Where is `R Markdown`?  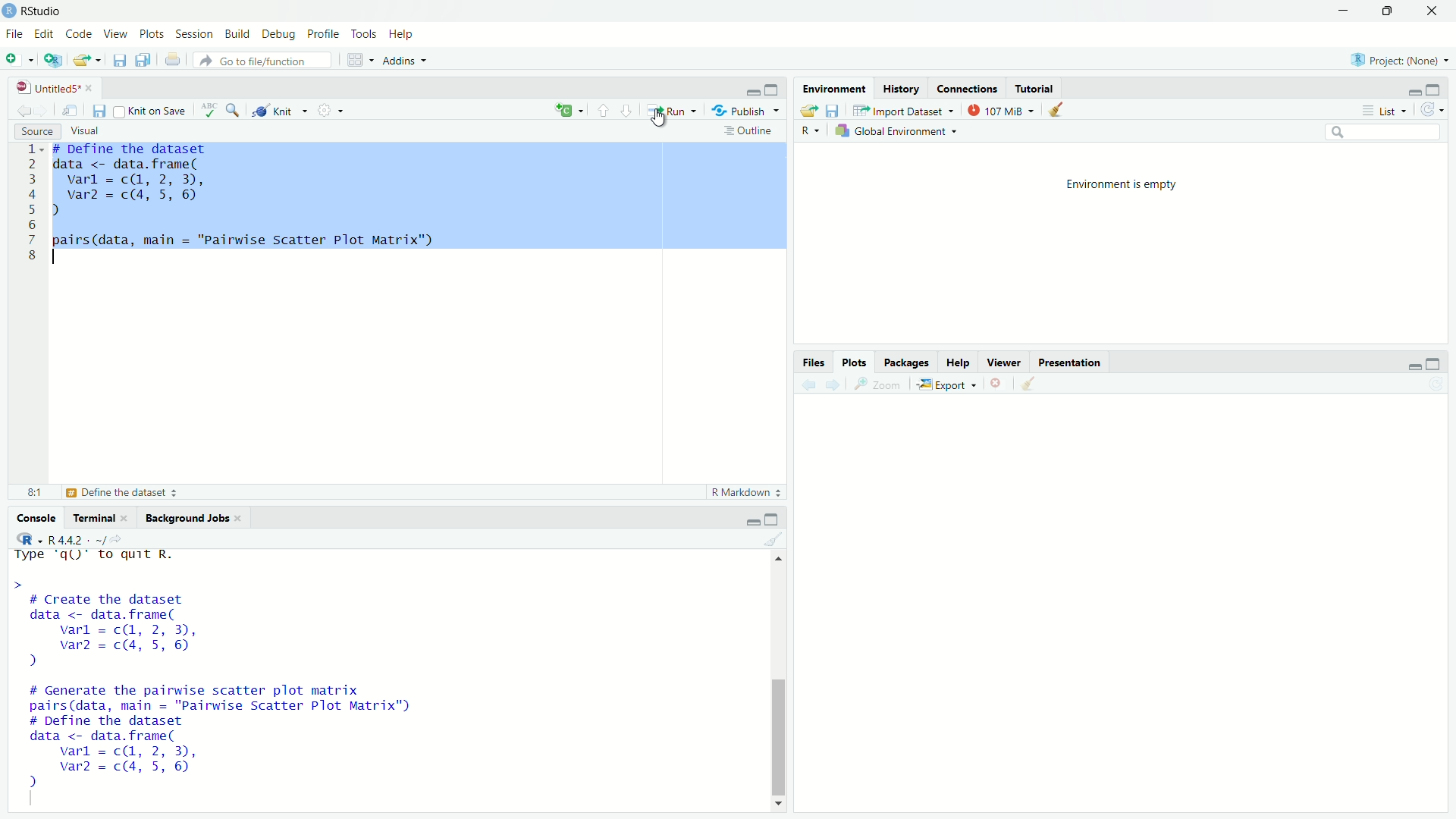 R Markdown is located at coordinates (746, 493).